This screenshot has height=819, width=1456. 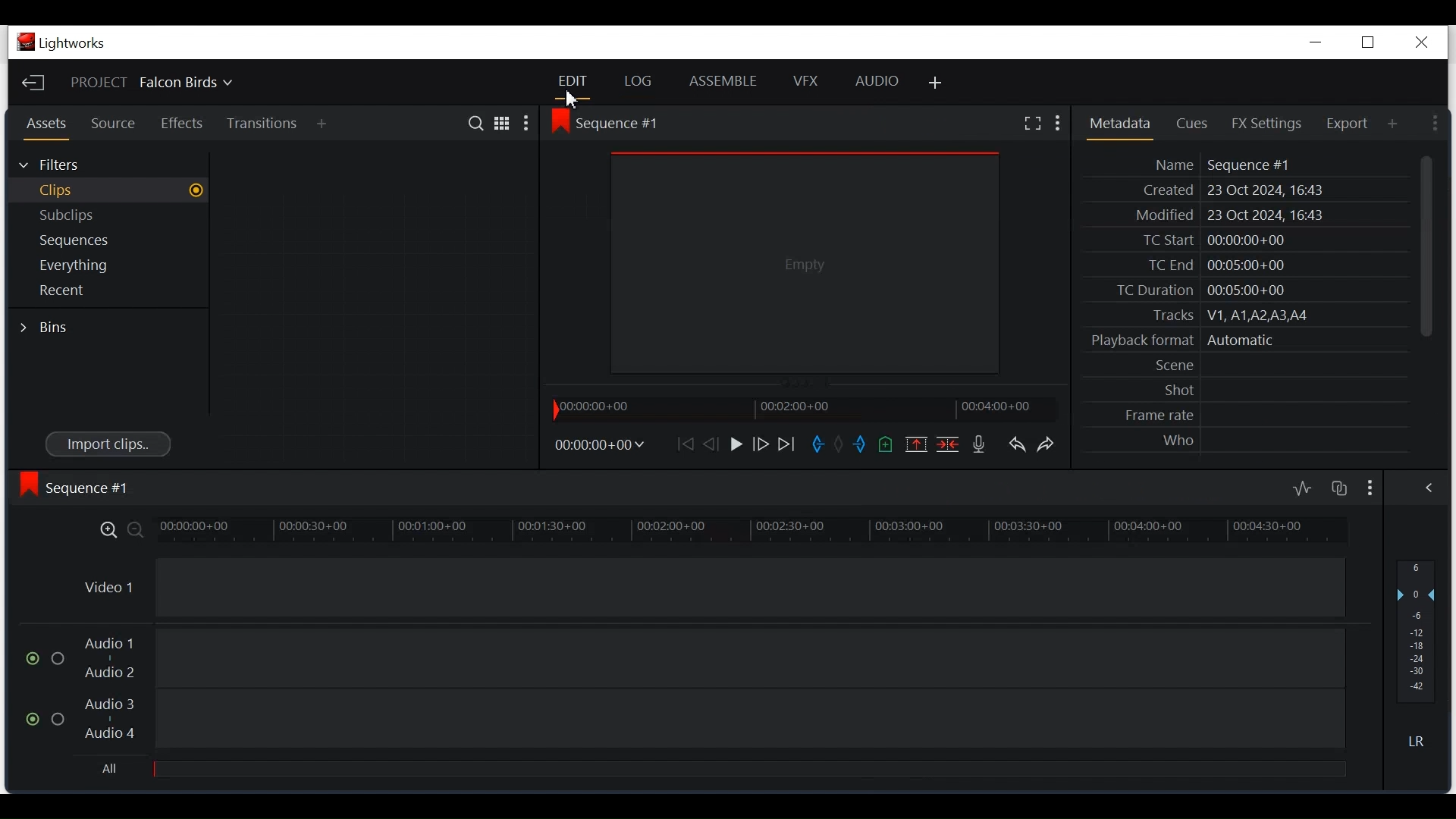 I want to click on Exit the Current Project, so click(x=34, y=83).